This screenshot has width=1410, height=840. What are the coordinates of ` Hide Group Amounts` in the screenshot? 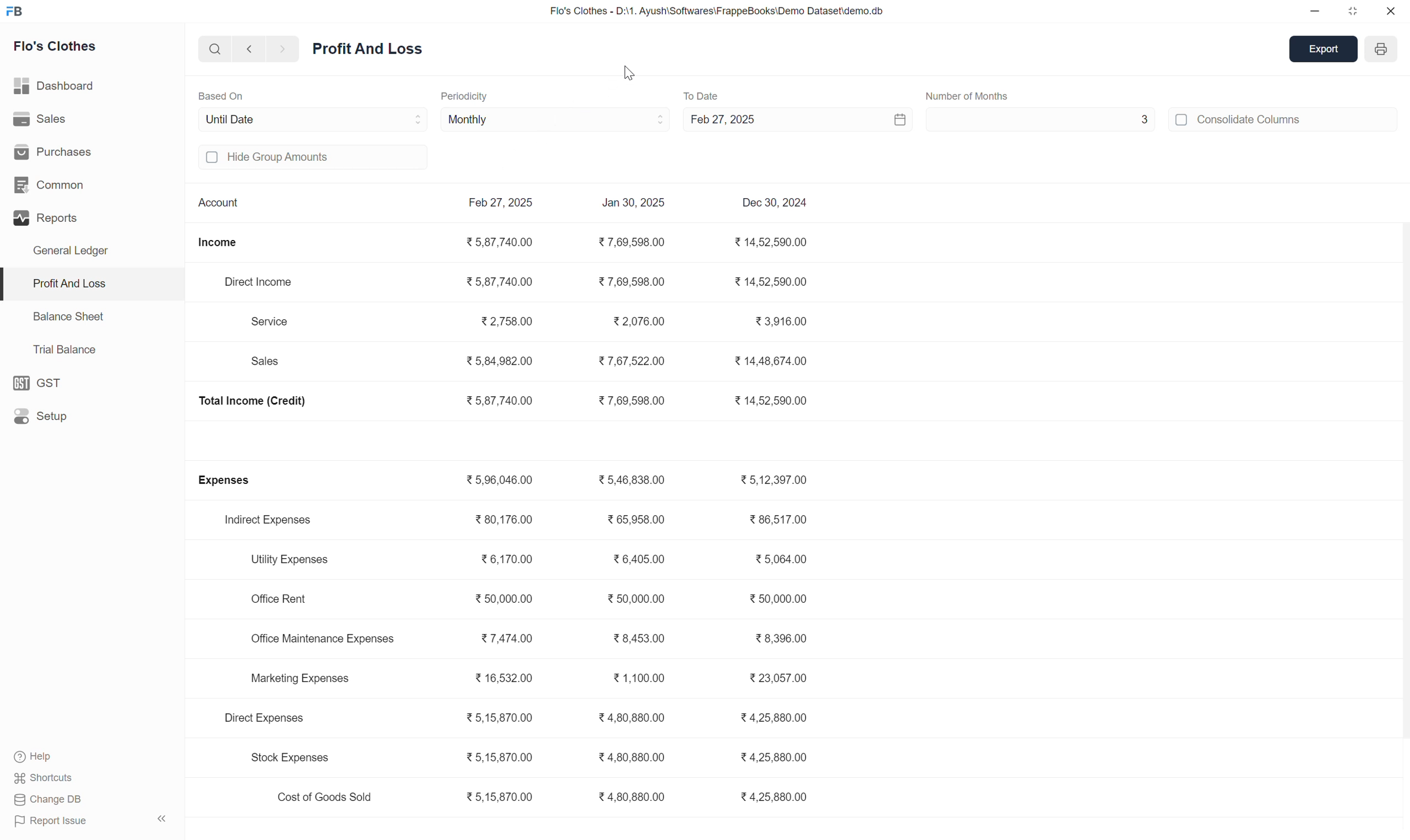 It's located at (273, 158).